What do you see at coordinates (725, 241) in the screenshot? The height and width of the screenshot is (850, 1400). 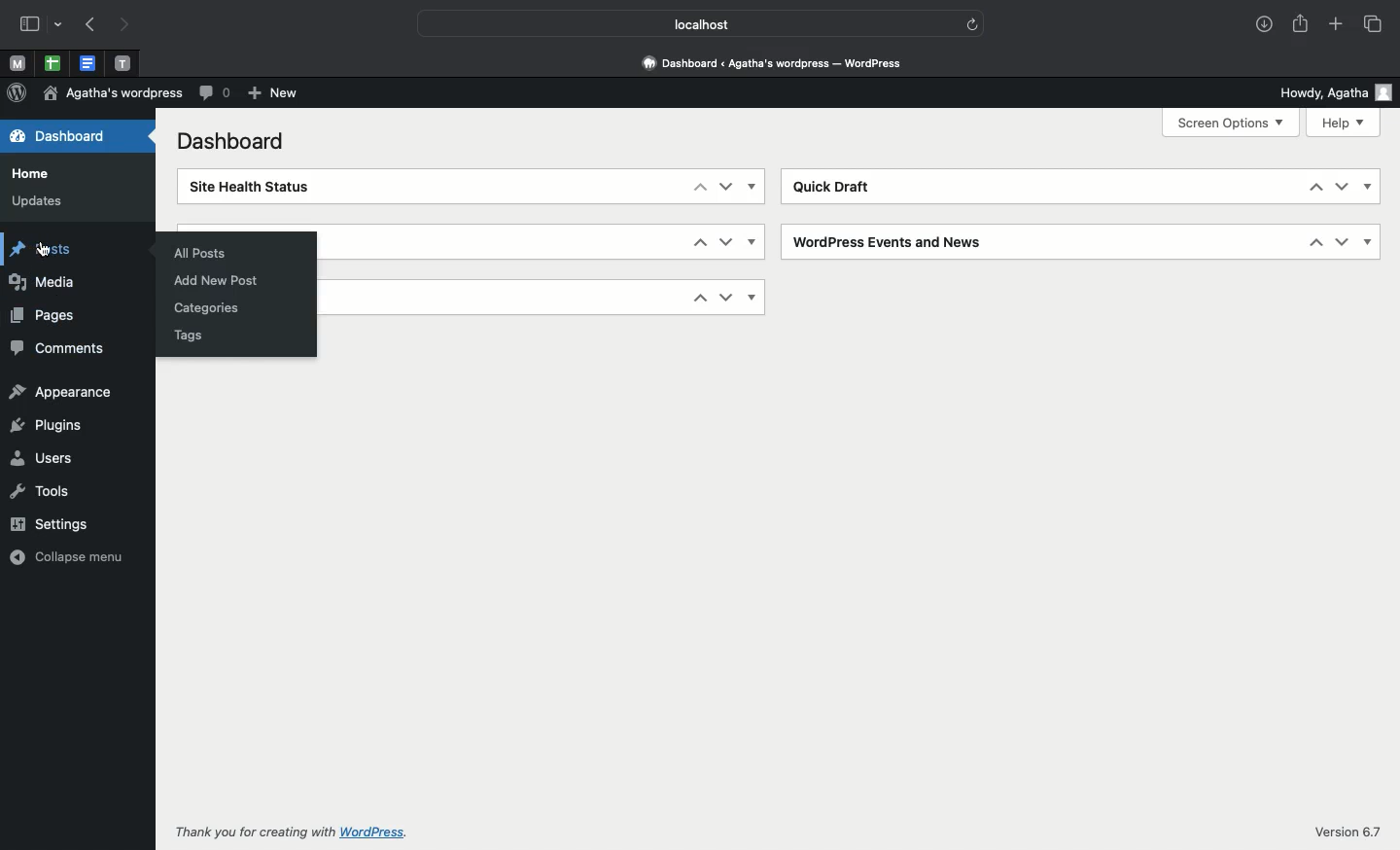 I see `Down` at bounding box center [725, 241].